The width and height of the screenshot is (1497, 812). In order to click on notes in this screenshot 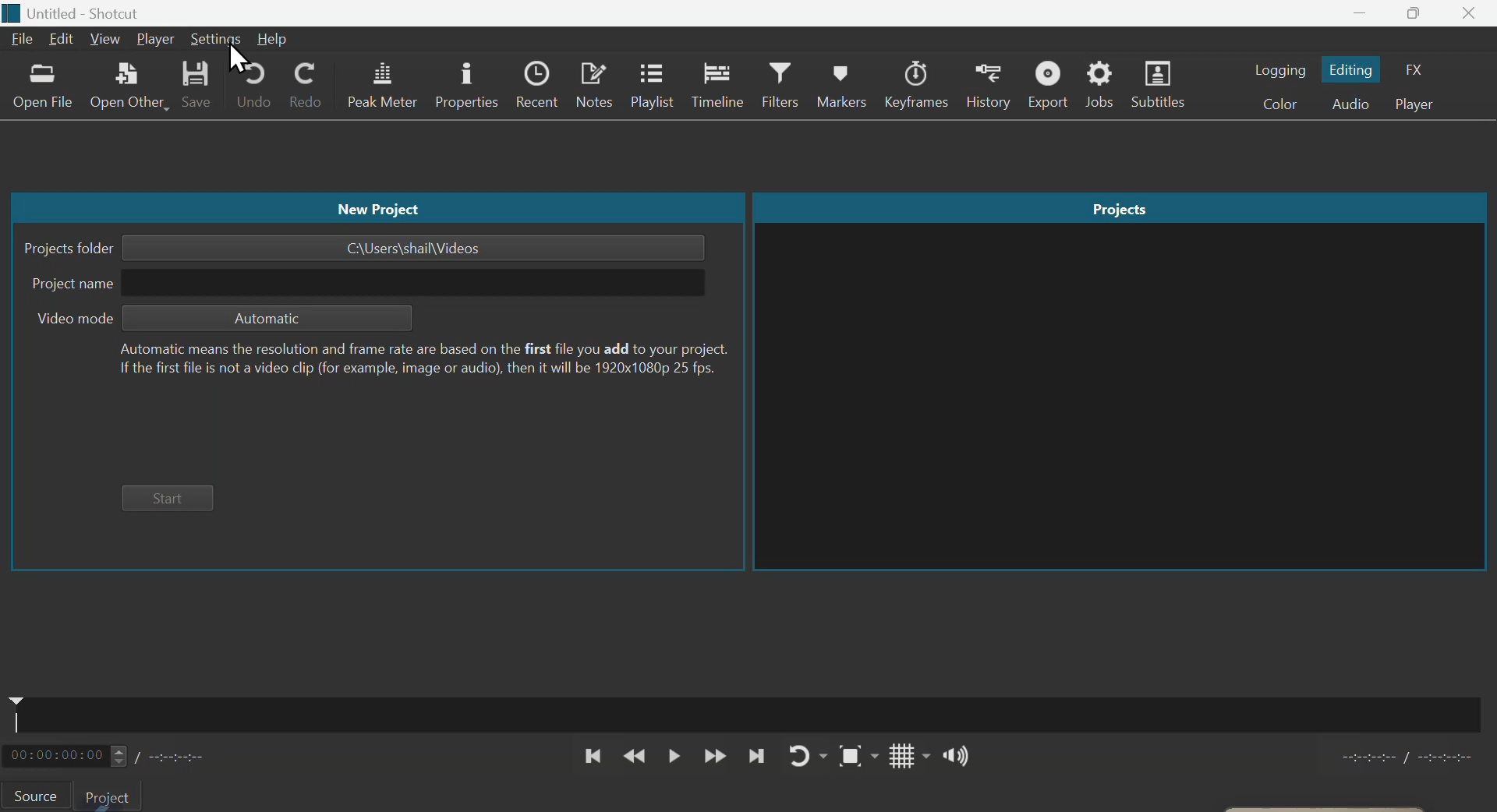, I will do `click(593, 86)`.